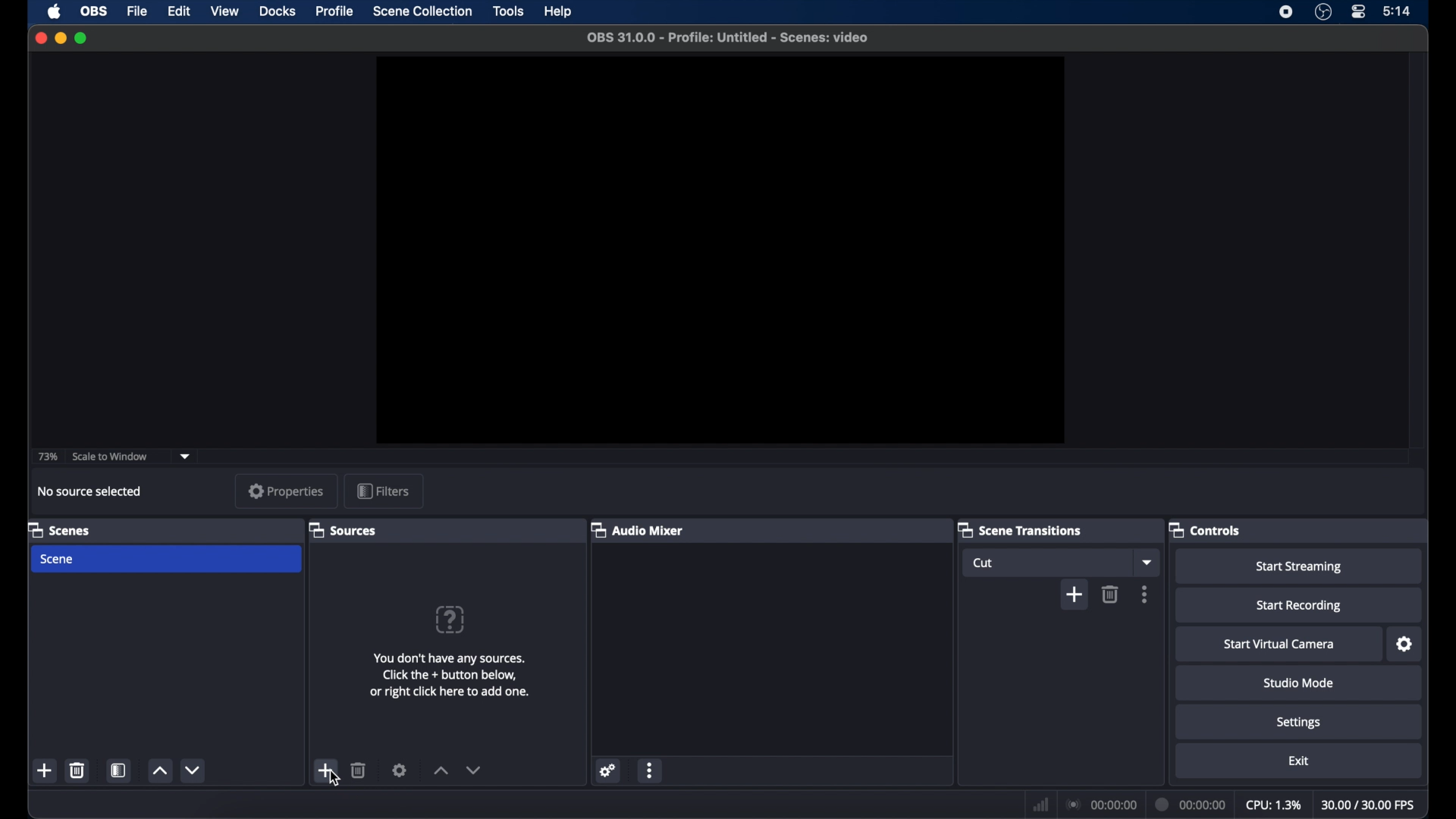 This screenshot has width=1456, height=819. I want to click on duration, so click(1191, 803).